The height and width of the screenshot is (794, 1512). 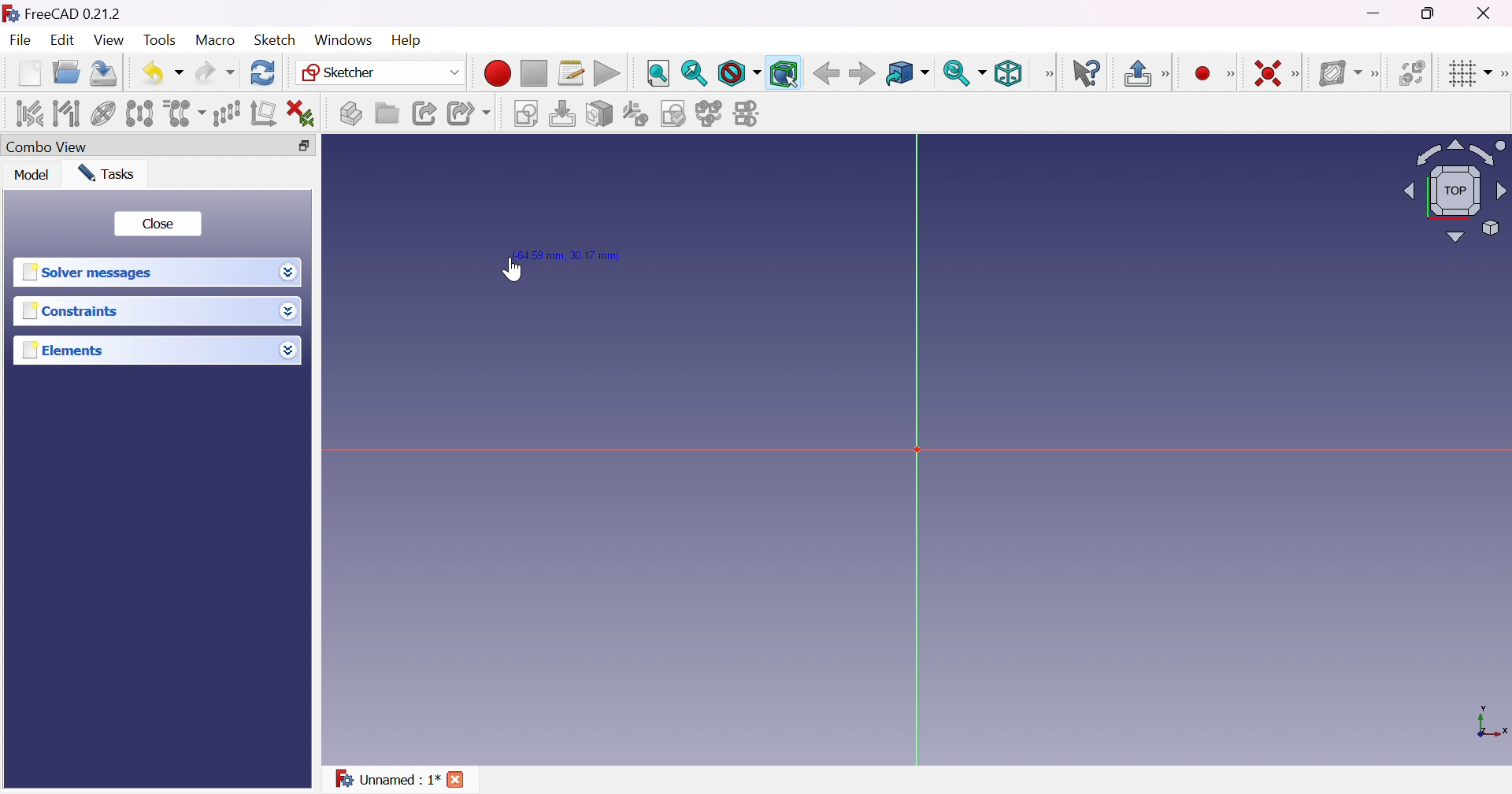 What do you see at coordinates (1503, 74) in the screenshot?
I see `[Sketcher edit tools]` at bounding box center [1503, 74].